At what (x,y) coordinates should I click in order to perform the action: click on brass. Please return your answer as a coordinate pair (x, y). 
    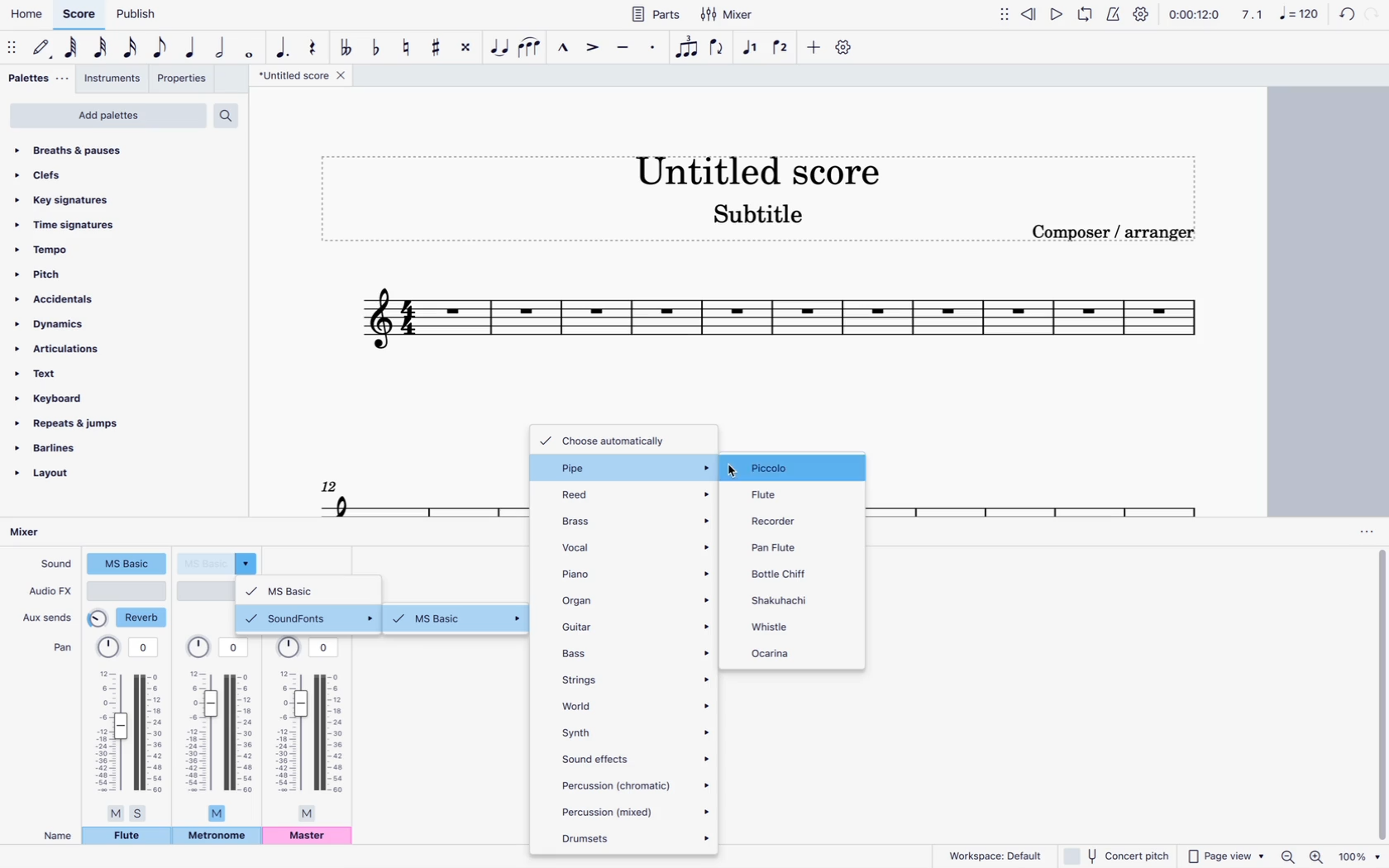
    Looking at the image, I should click on (633, 518).